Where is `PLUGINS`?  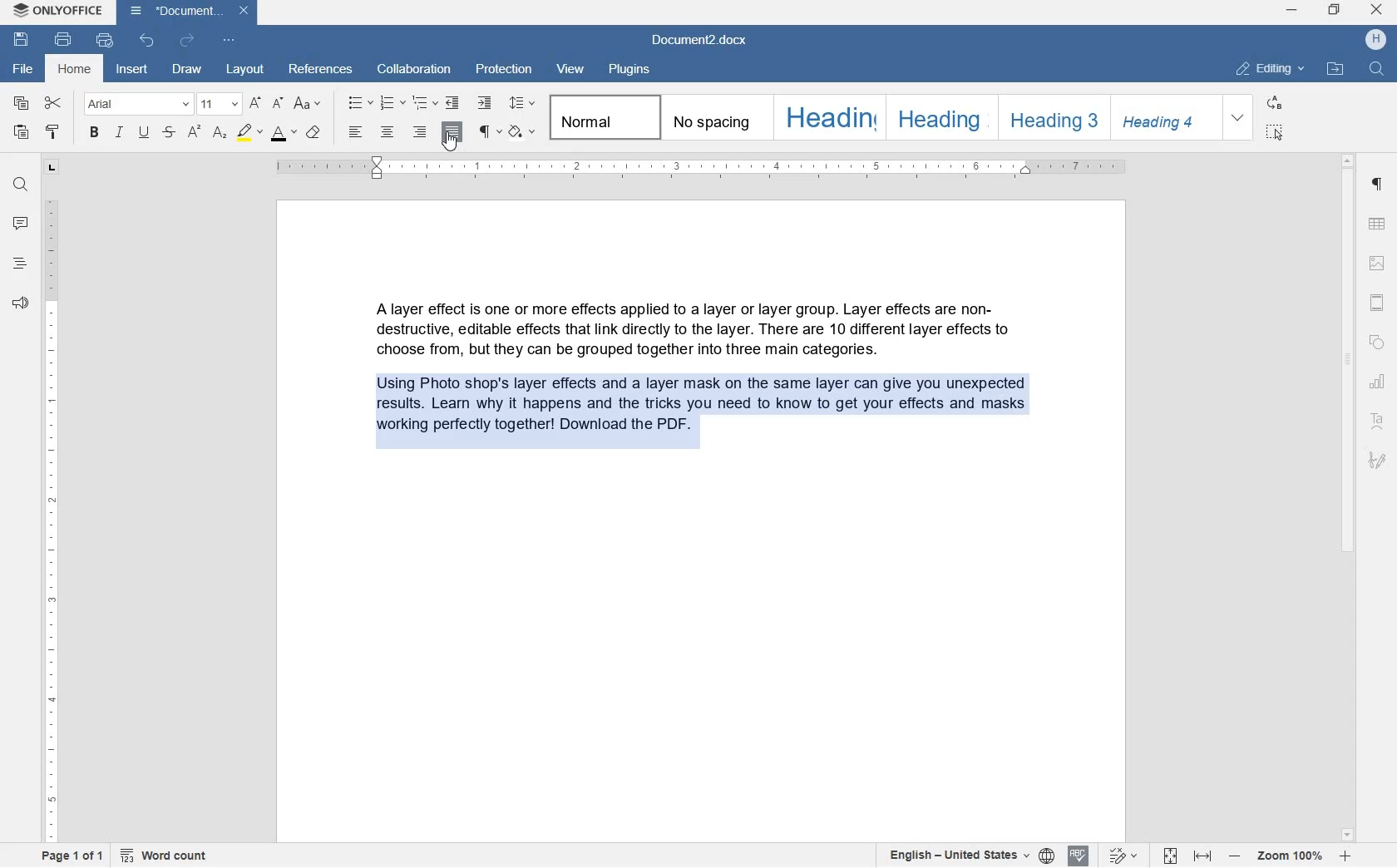
PLUGINS is located at coordinates (629, 70).